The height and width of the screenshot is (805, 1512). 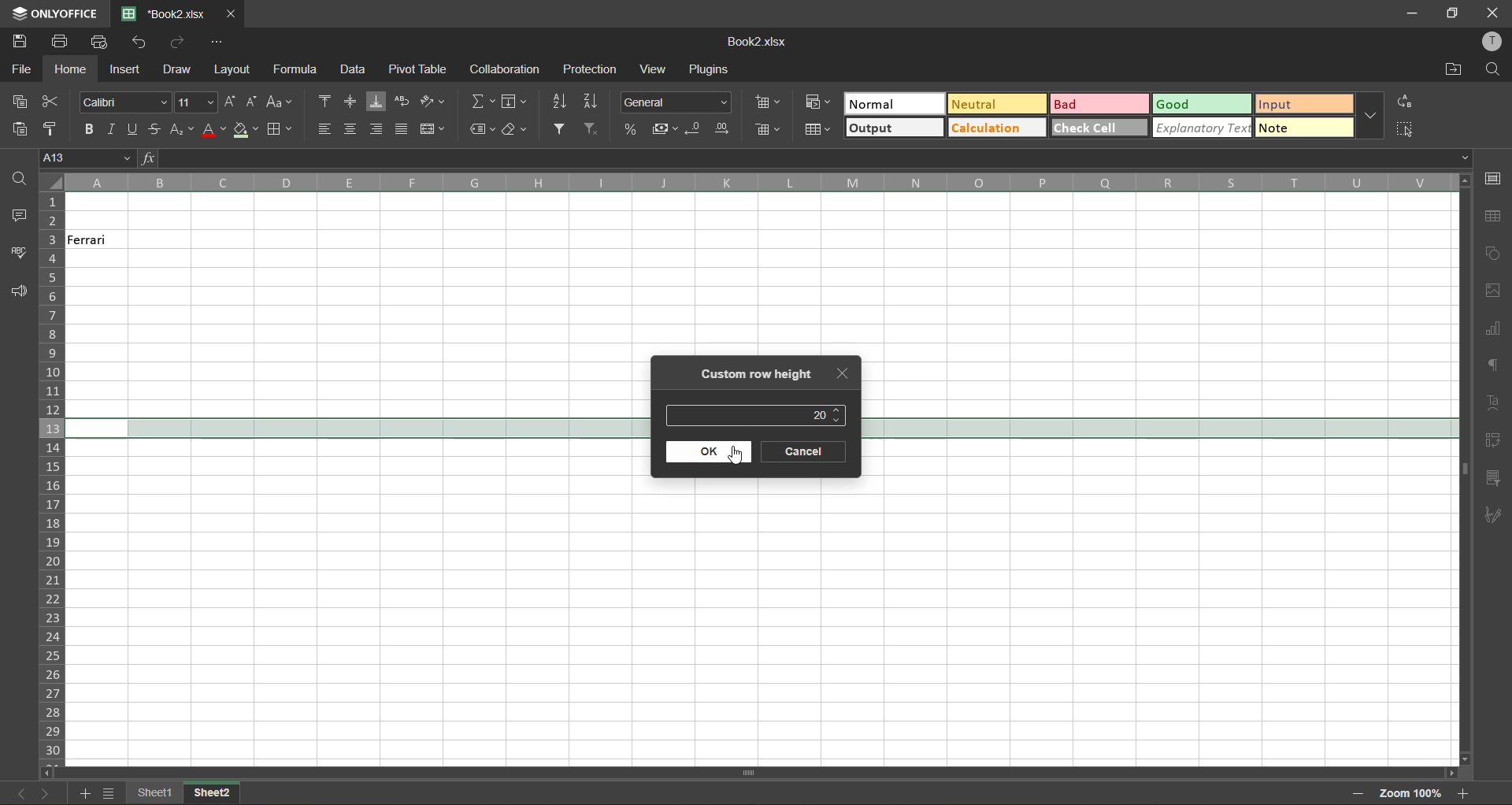 What do you see at coordinates (737, 458) in the screenshot?
I see `Cursor` at bounding box center [737, 458].